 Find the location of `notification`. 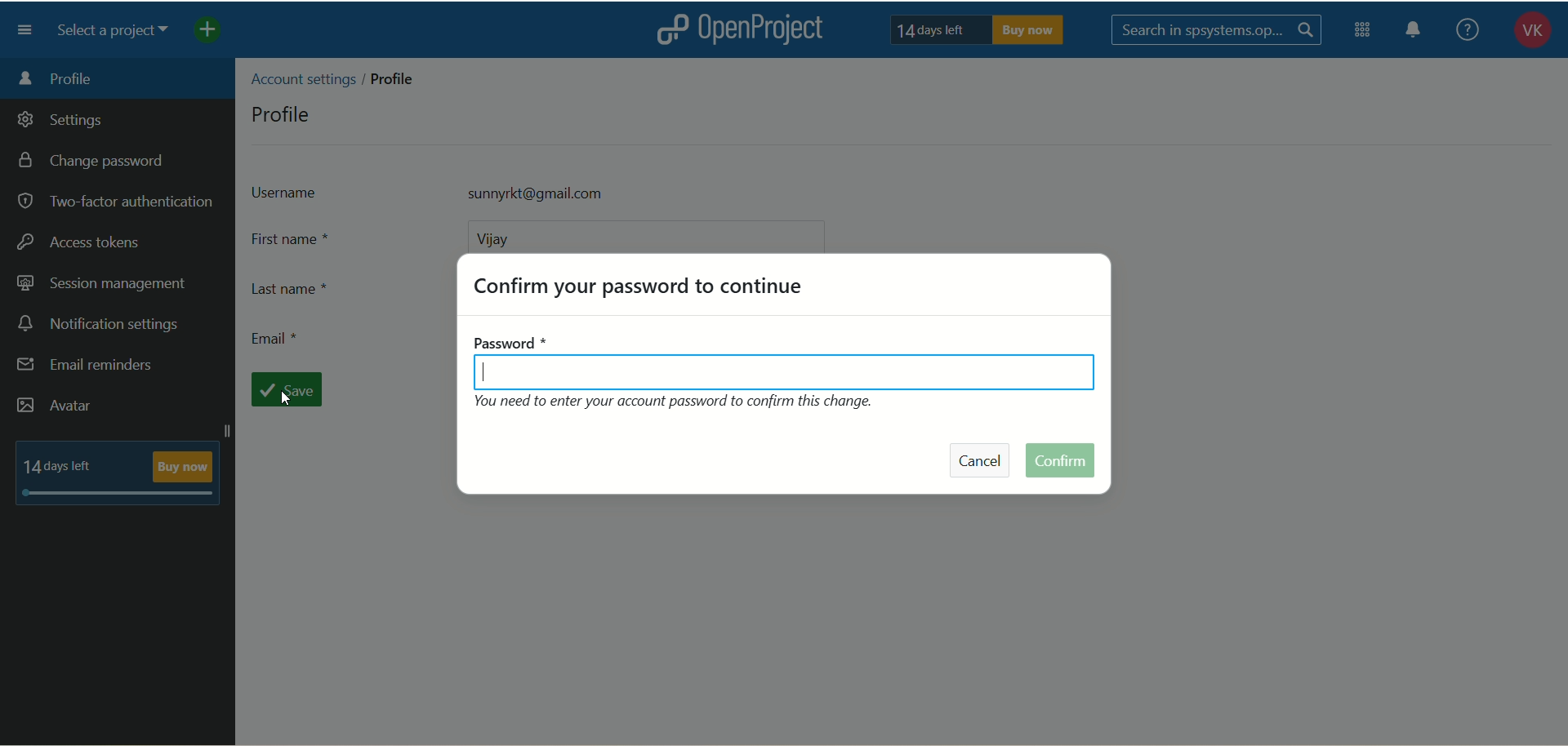

notification is located at coordinates (1419, 33).